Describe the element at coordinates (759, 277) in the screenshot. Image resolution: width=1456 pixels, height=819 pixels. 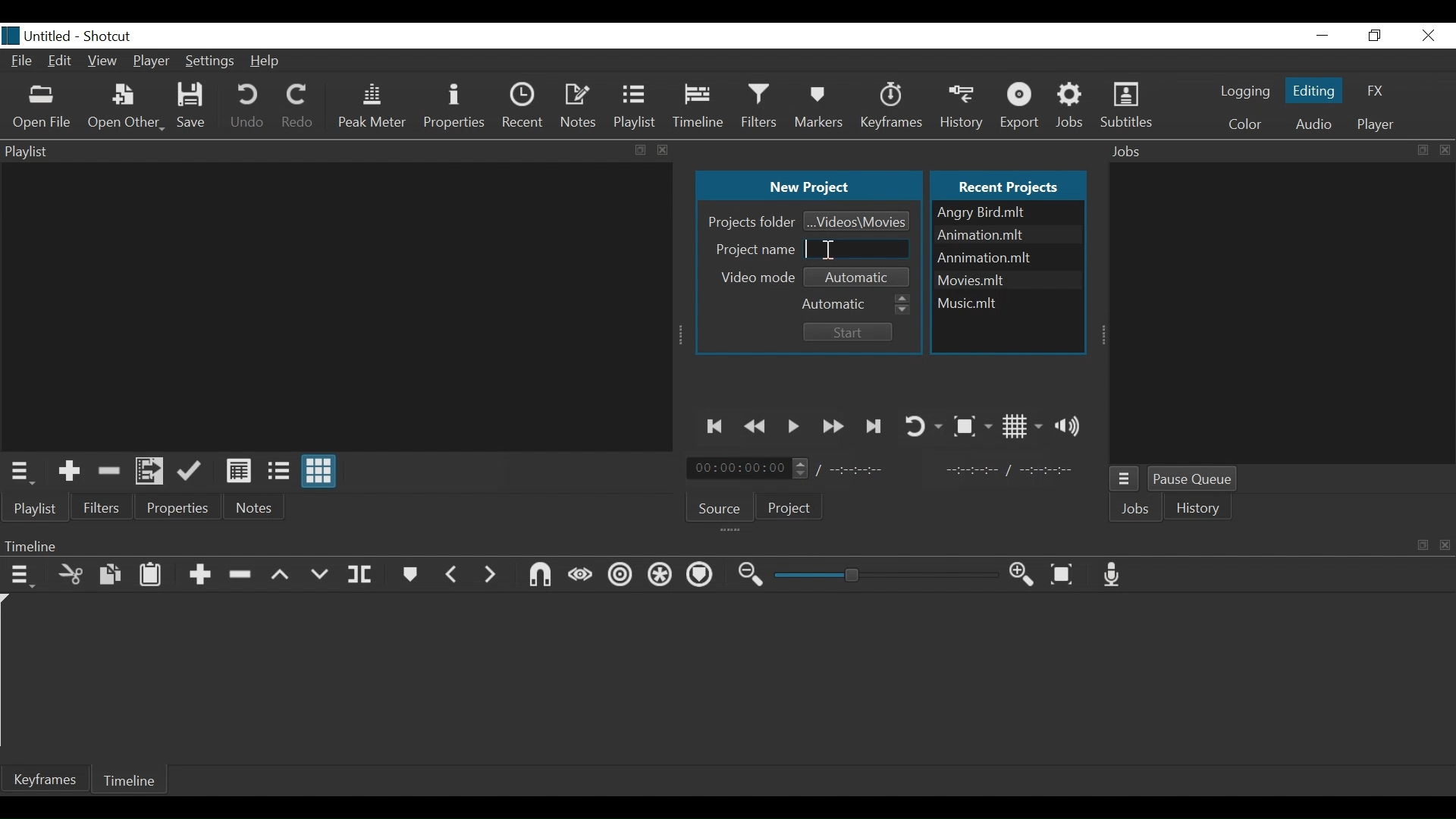
I see `Video mode` at that location.